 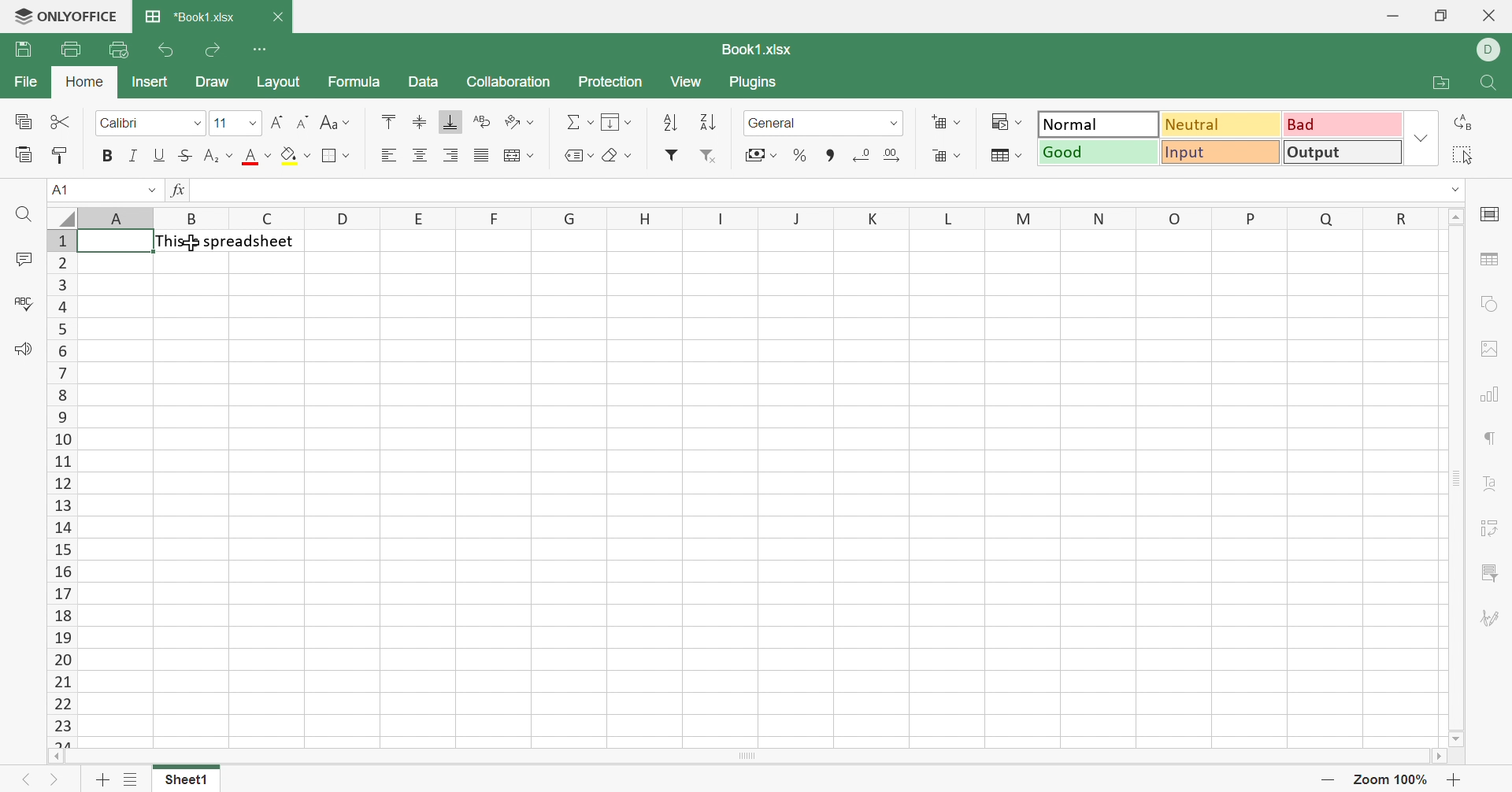 I want to click on Minimize, so click(x=1392, y=16).